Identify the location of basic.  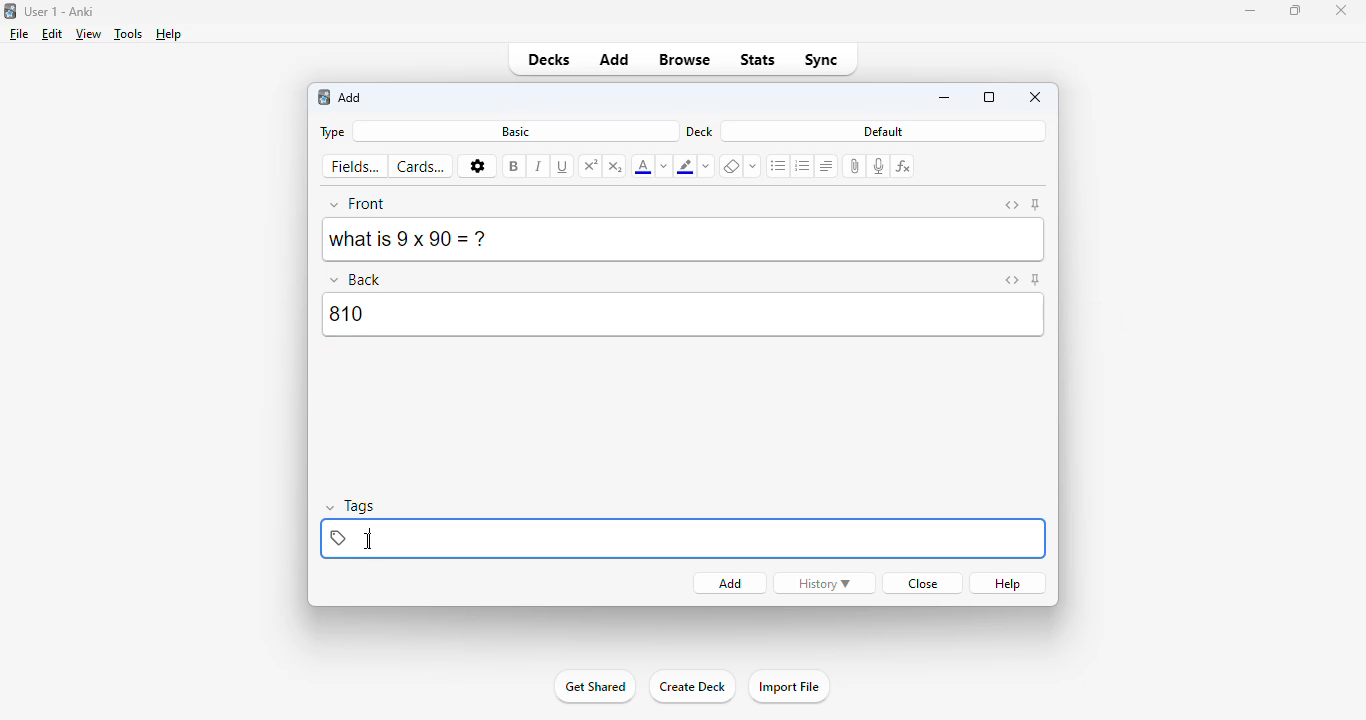
(515, 131).